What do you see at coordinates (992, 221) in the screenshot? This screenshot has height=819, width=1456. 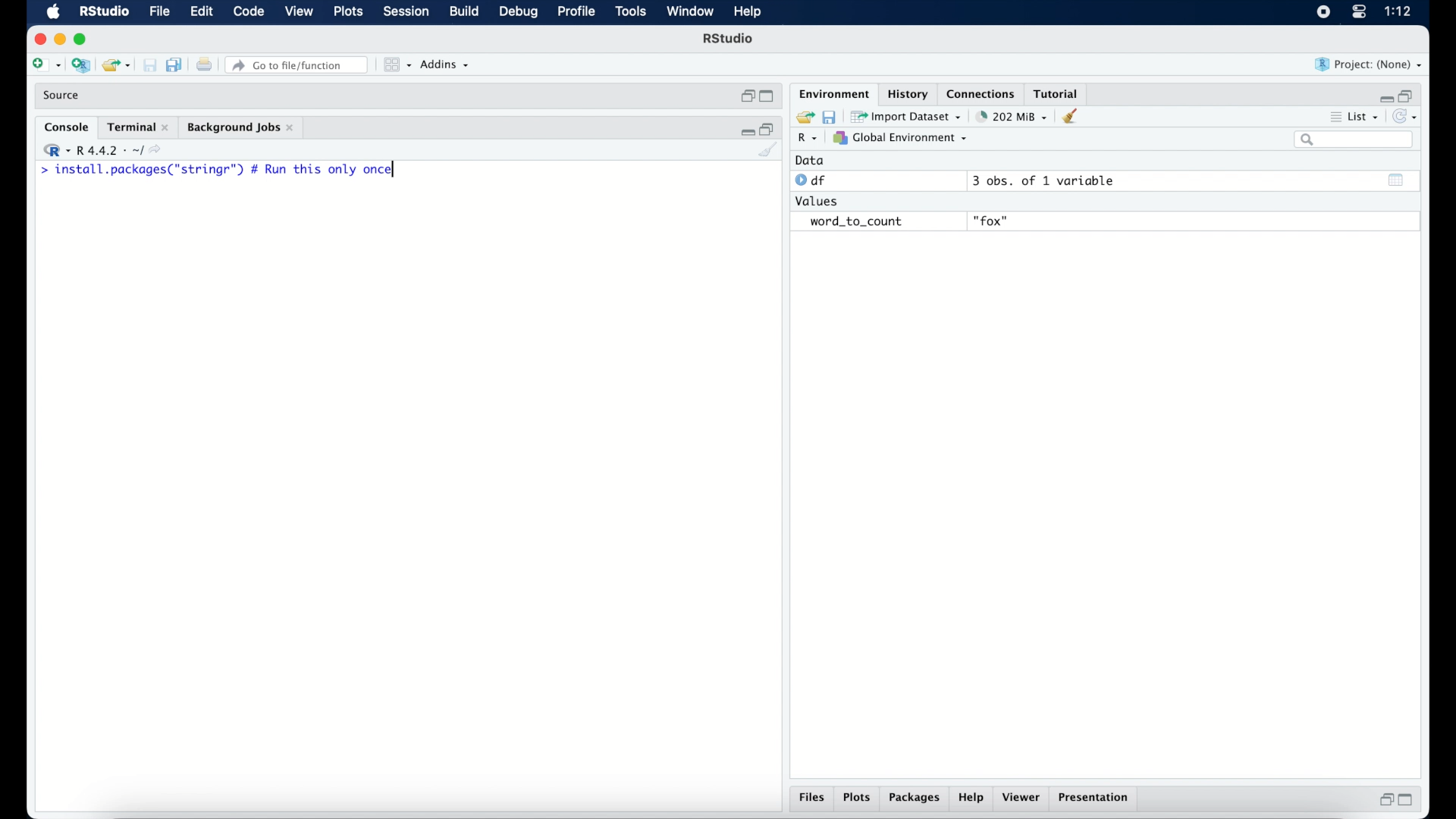 I see `fox` at bounding box center [992, 221].